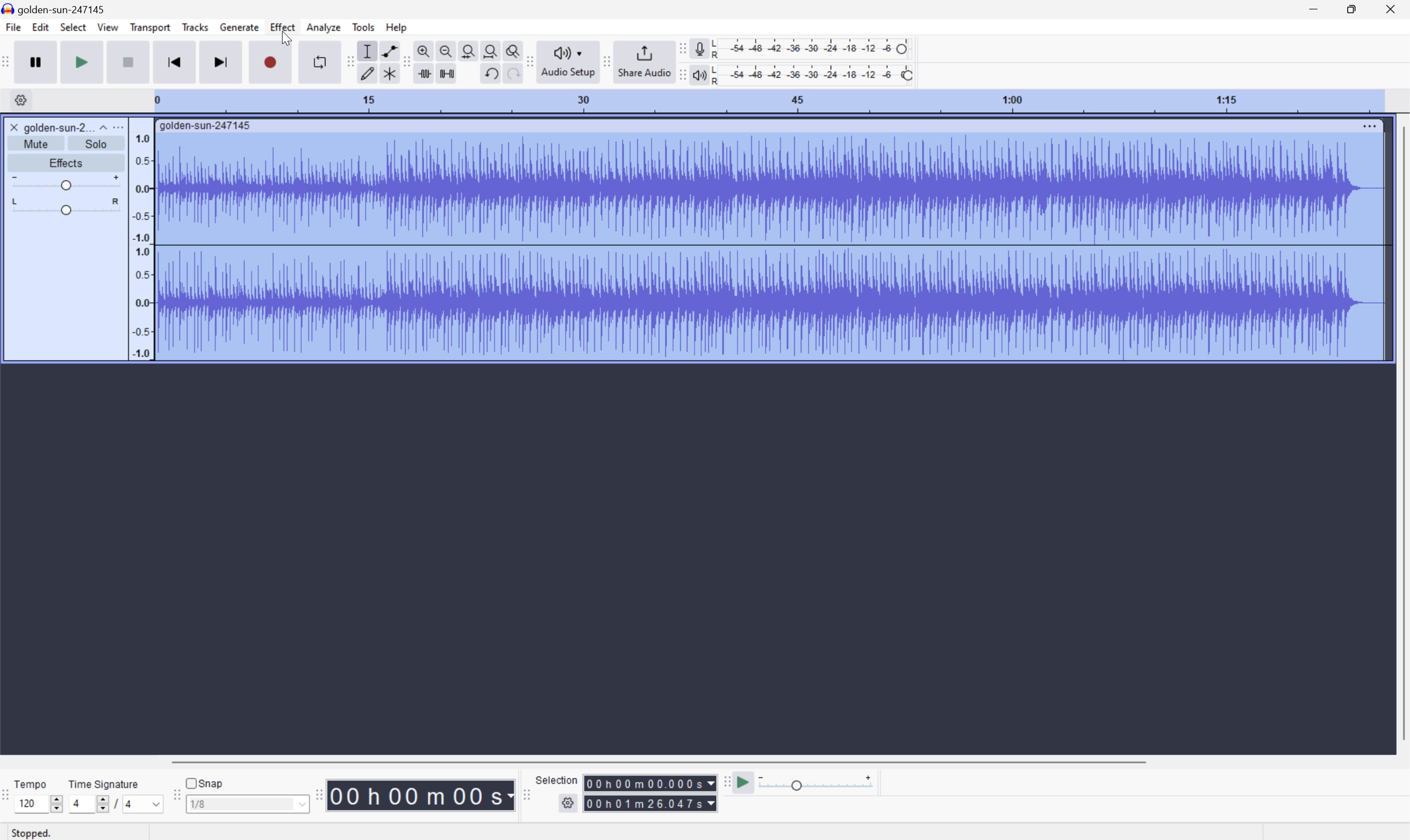 Image resolution: width=1410 pixels, height=840 pixels. I want to click on Record meter, so click(699, 48).